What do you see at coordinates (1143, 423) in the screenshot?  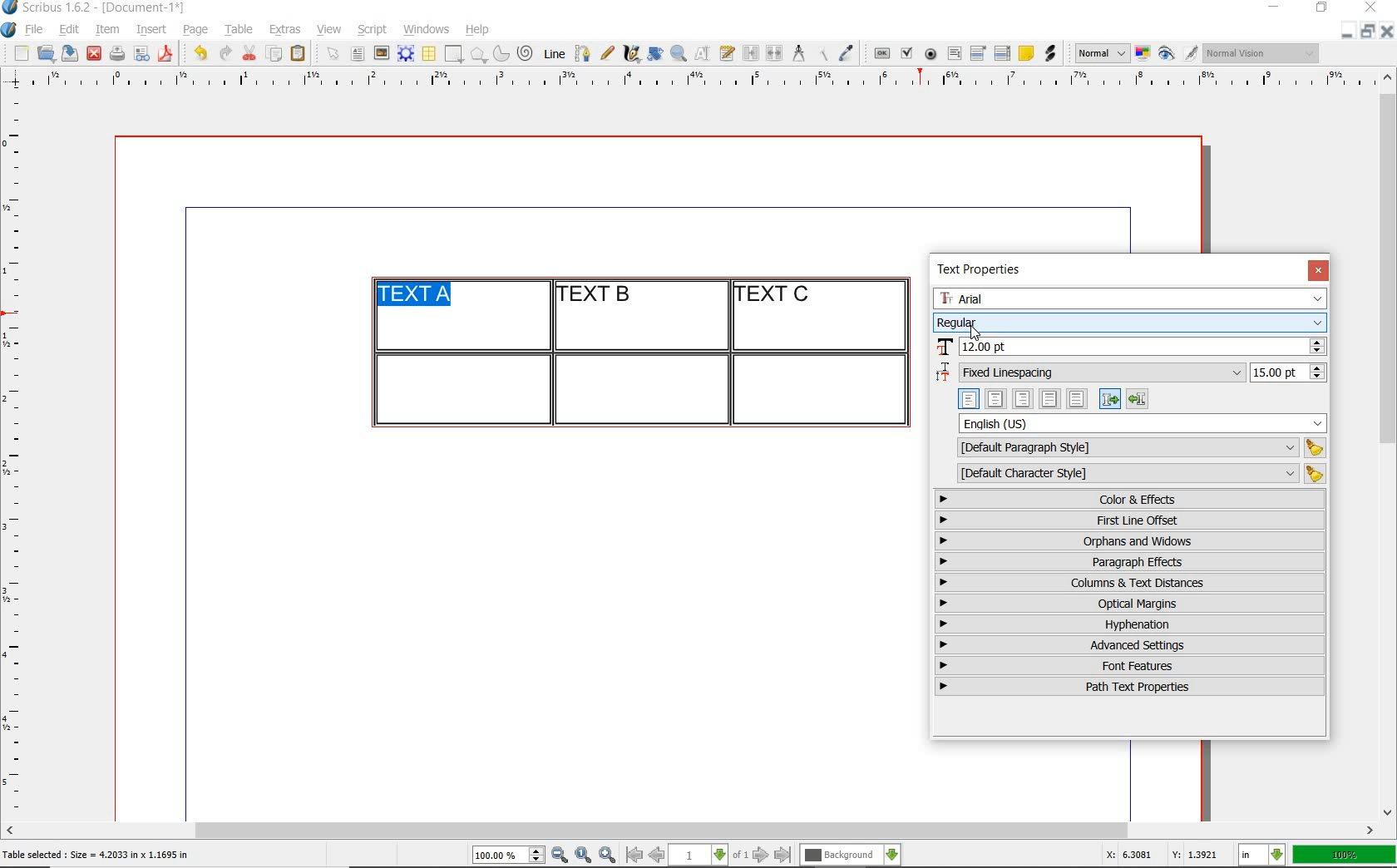 I see `text language` at bounding box center [1143, 423].